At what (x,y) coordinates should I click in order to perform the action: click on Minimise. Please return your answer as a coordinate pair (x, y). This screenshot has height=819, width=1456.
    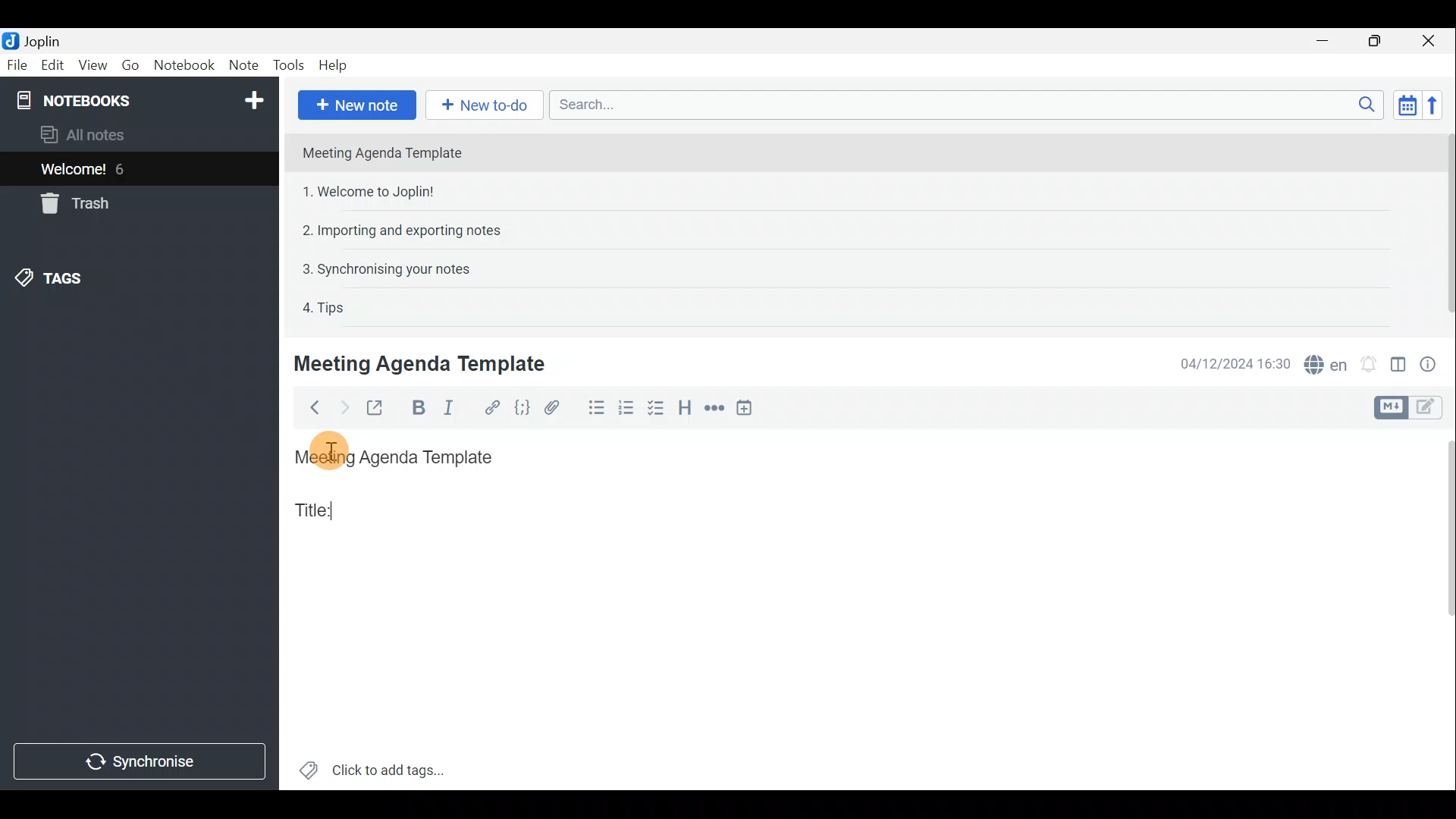
    Looking at the image, I should click on (1325, 40).